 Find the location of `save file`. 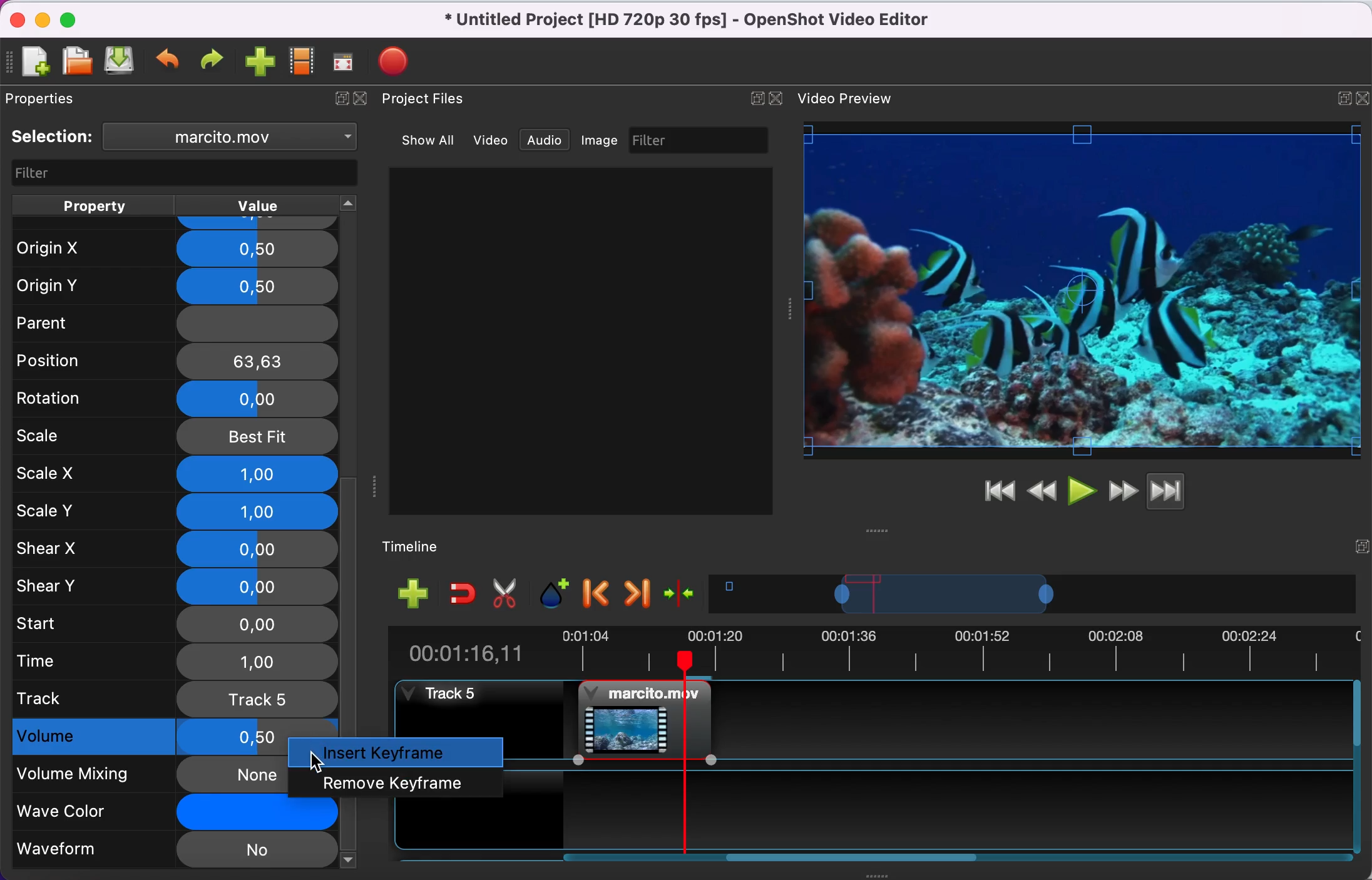

save file is located at coordinates (121, 63).